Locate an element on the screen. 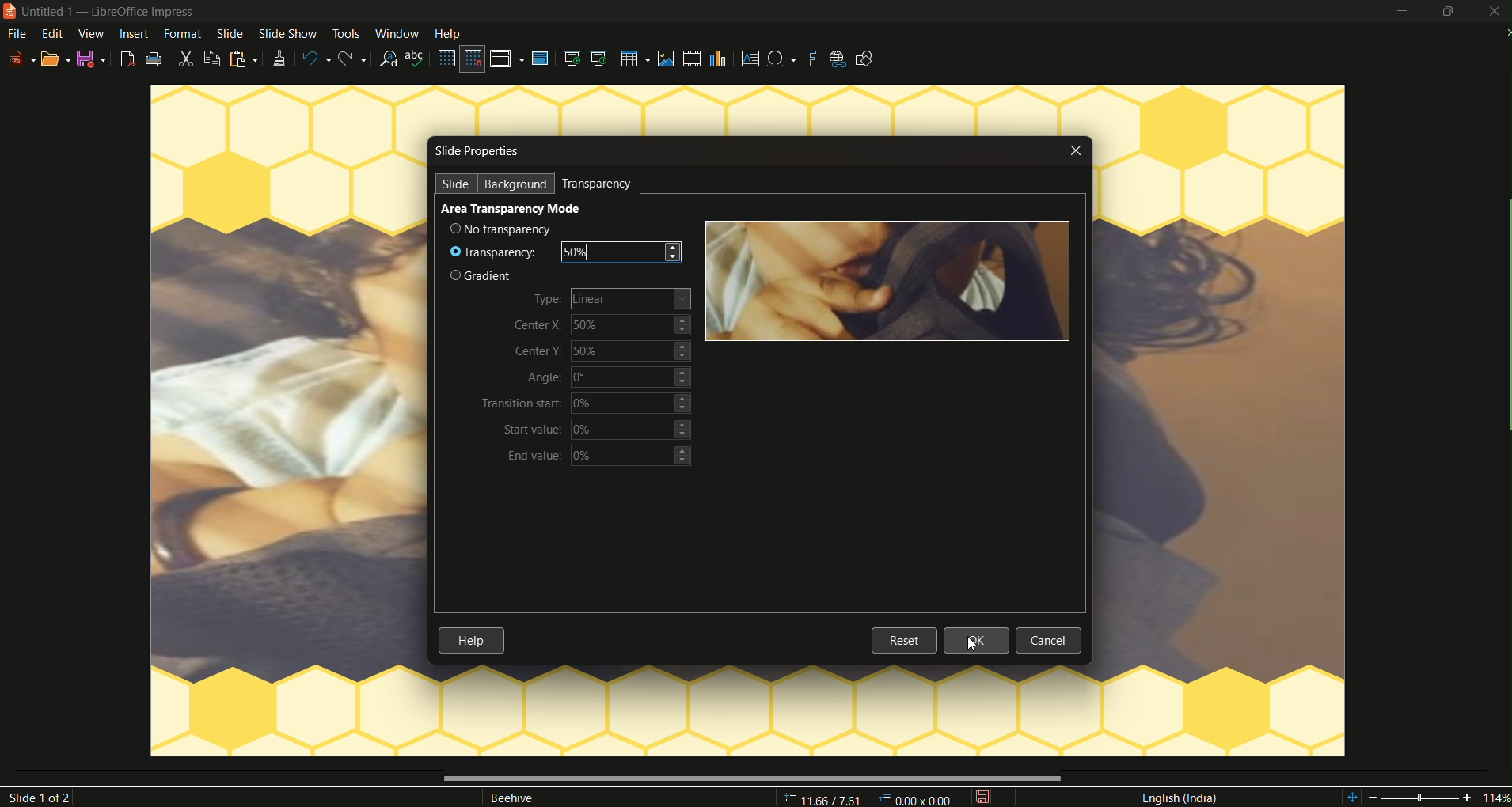 The width and height of the screenshot is (1512, 807). angle is located at coordinates (545, 377).